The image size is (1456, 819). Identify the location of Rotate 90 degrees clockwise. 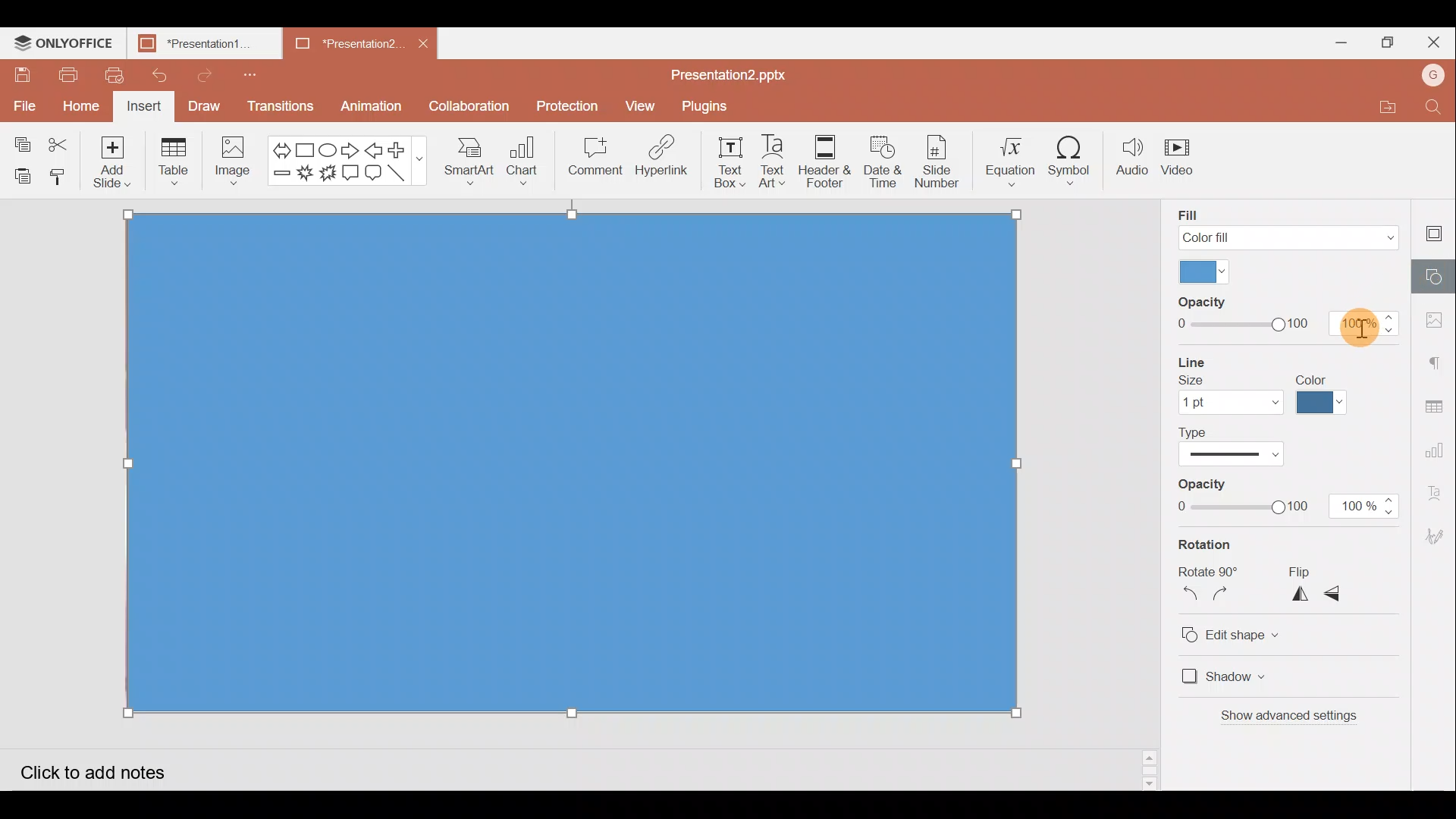
(1228, 598).